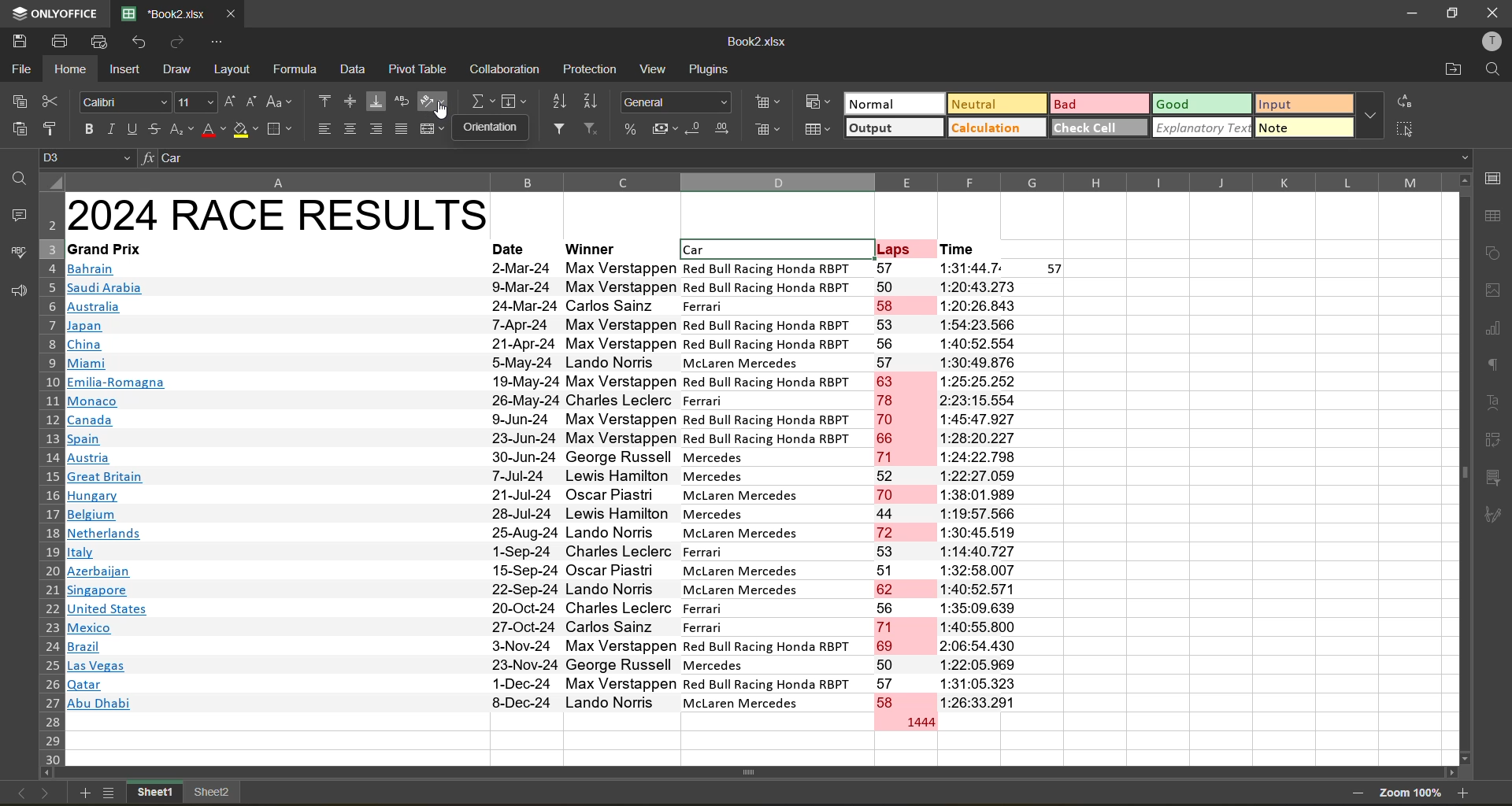  I want to click on increase decimal, so click(724, 131).